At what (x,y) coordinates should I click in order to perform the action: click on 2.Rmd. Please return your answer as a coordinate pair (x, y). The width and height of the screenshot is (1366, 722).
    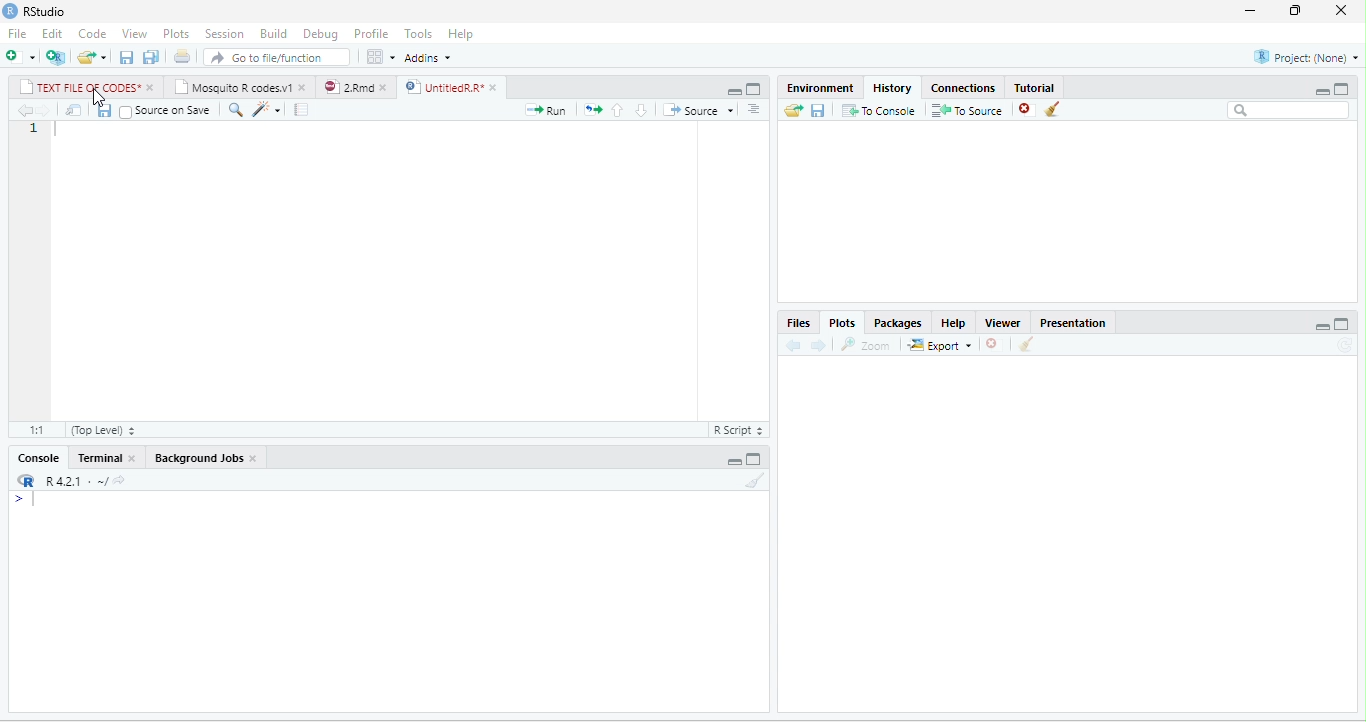
    Looking at the image, I should click on (348, 87).